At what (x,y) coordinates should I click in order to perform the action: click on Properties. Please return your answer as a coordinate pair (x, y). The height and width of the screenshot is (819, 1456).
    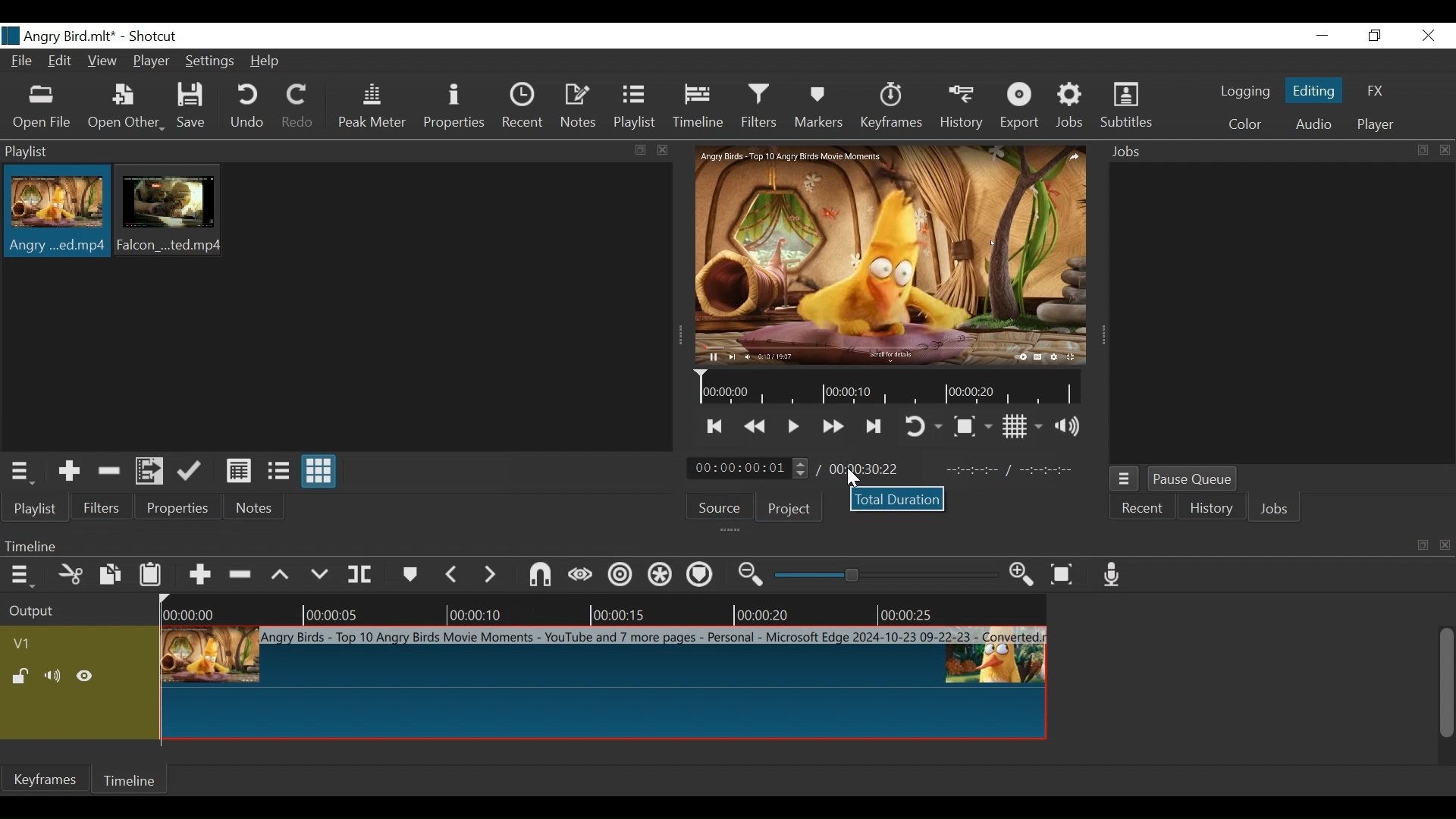
    Looking at the image, I should click on (176, 507).